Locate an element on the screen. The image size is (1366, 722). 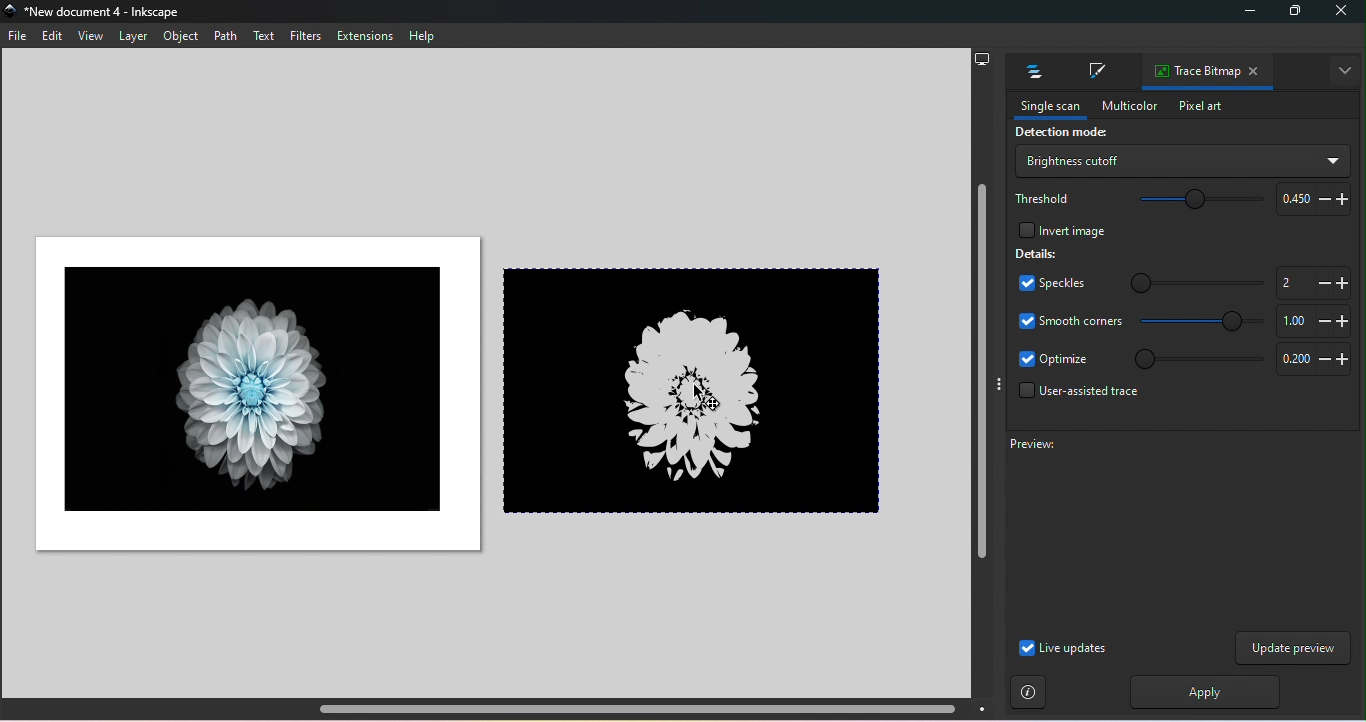
Update preview is located at coordinates (1293, 648).